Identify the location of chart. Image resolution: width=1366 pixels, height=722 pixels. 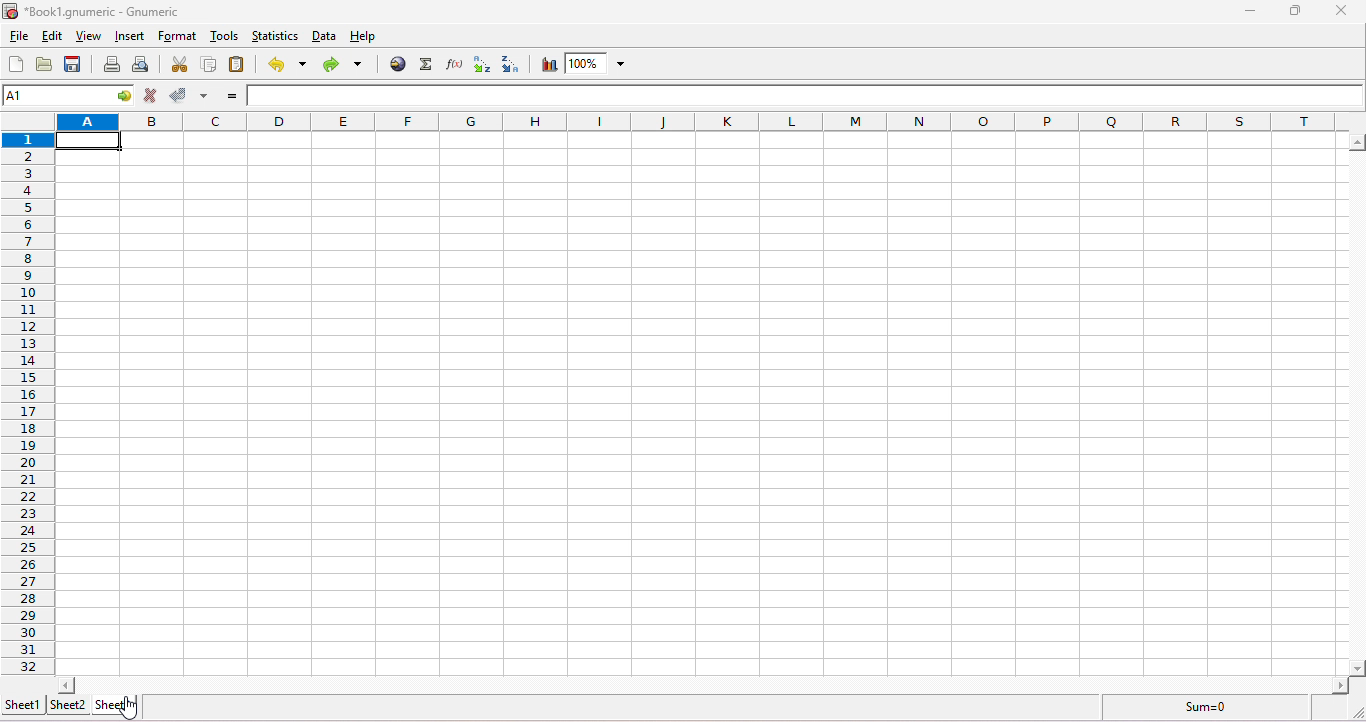
(547, 63).